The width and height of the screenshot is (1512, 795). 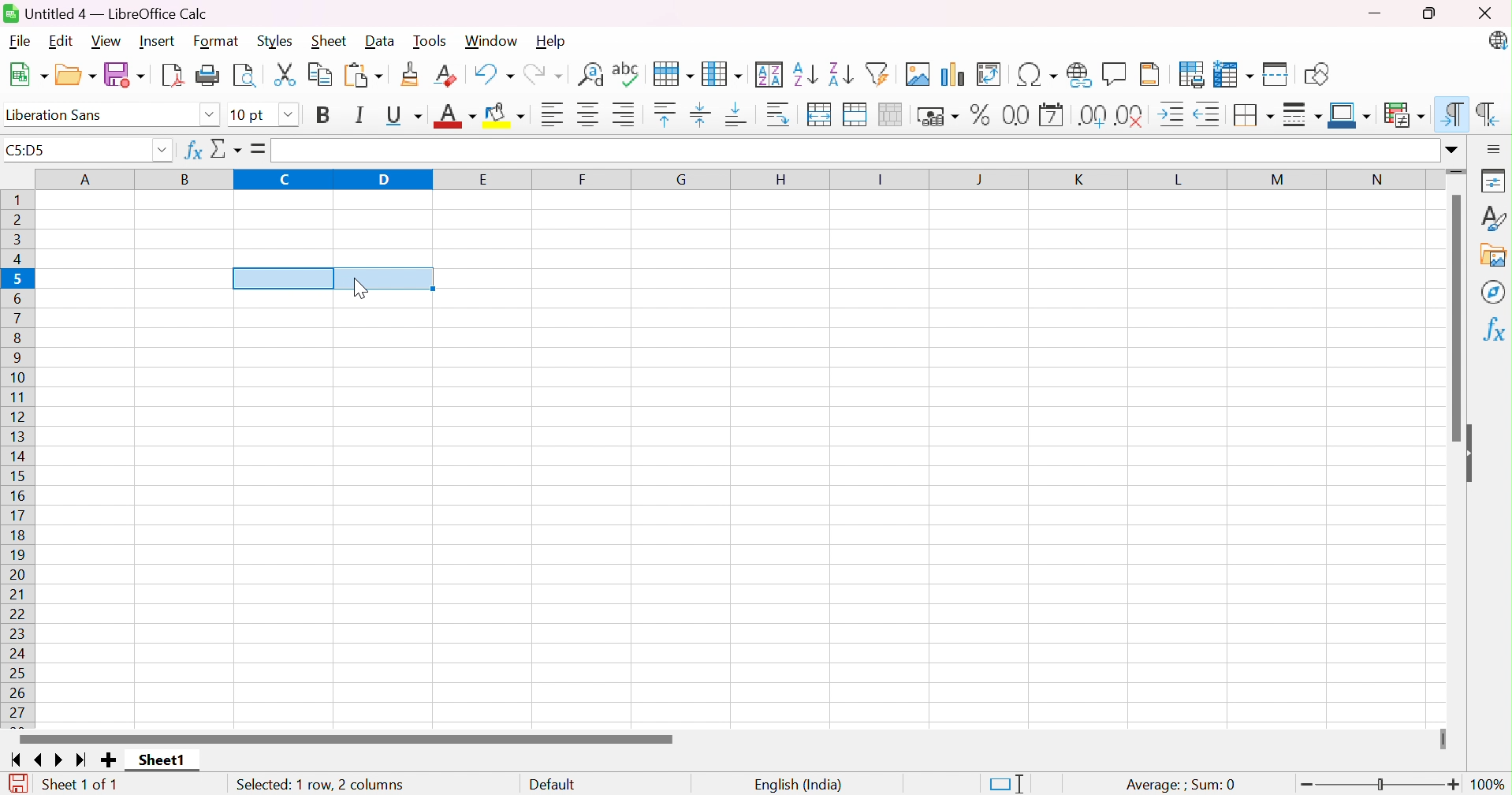 I want to click on Drop Down, so click(x=288, y=113).